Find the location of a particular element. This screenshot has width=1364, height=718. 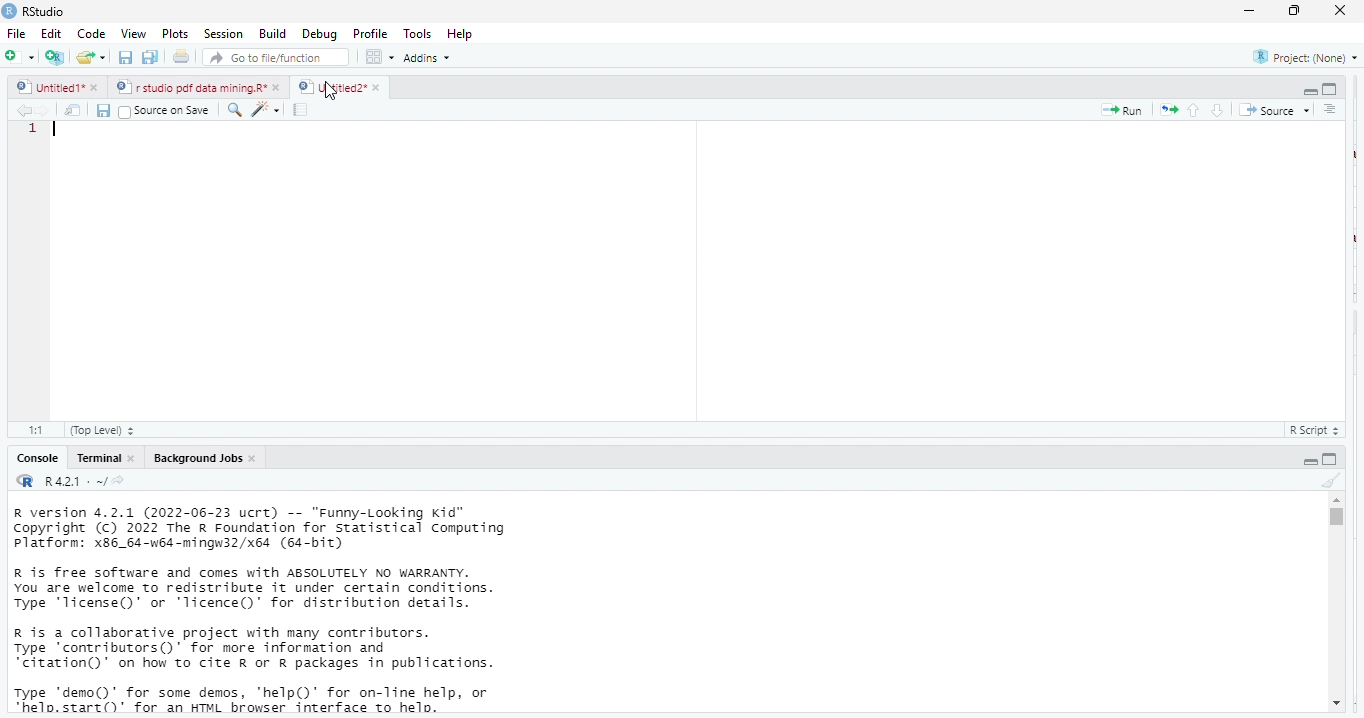

terminal is located at coordinates (97, 458).